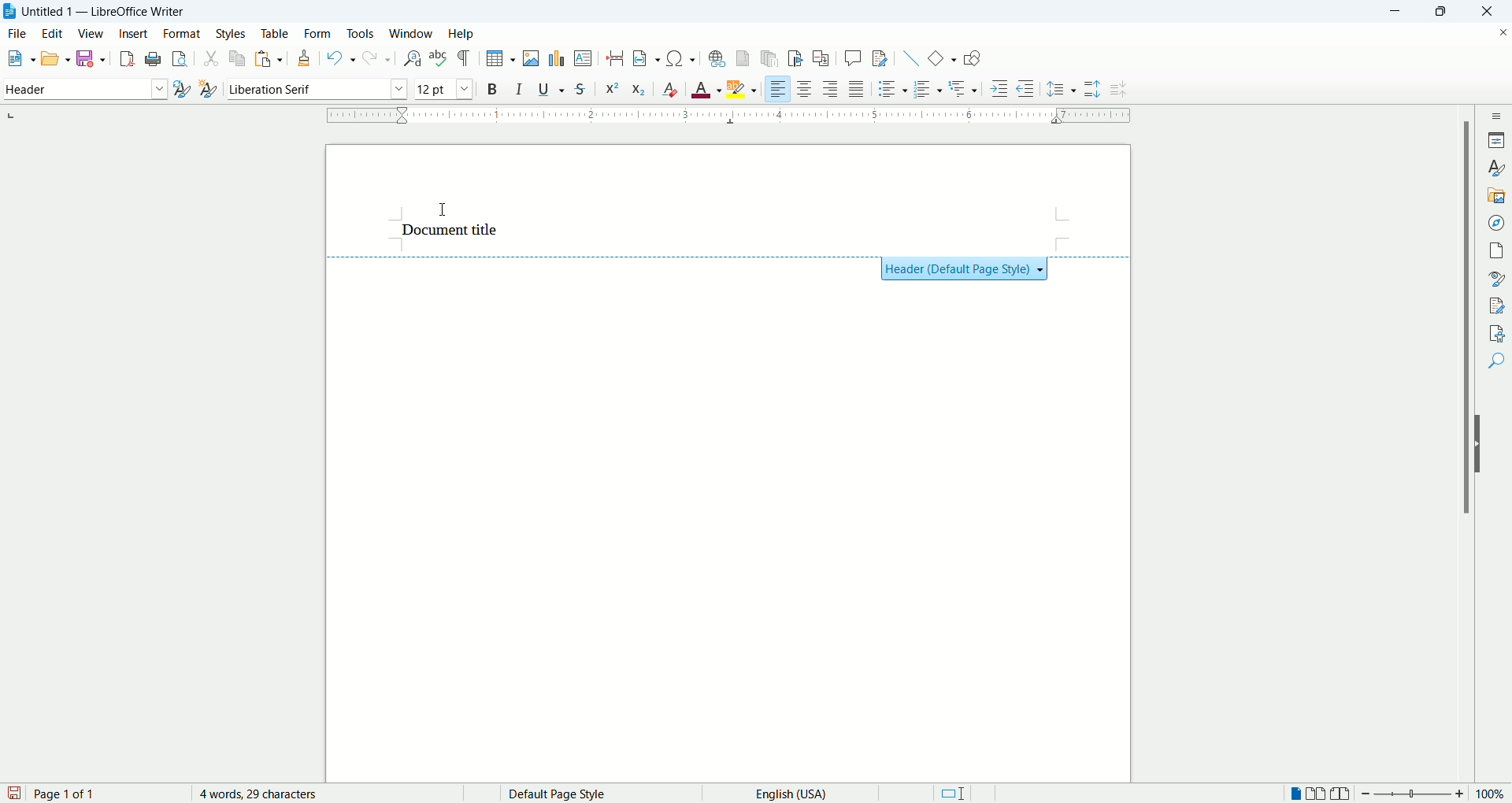 The image size is (1512, 803). What do you see at coordinates (124, 59) in the screenshot?
I see `export as pdf` at bounding box center [124, 59].